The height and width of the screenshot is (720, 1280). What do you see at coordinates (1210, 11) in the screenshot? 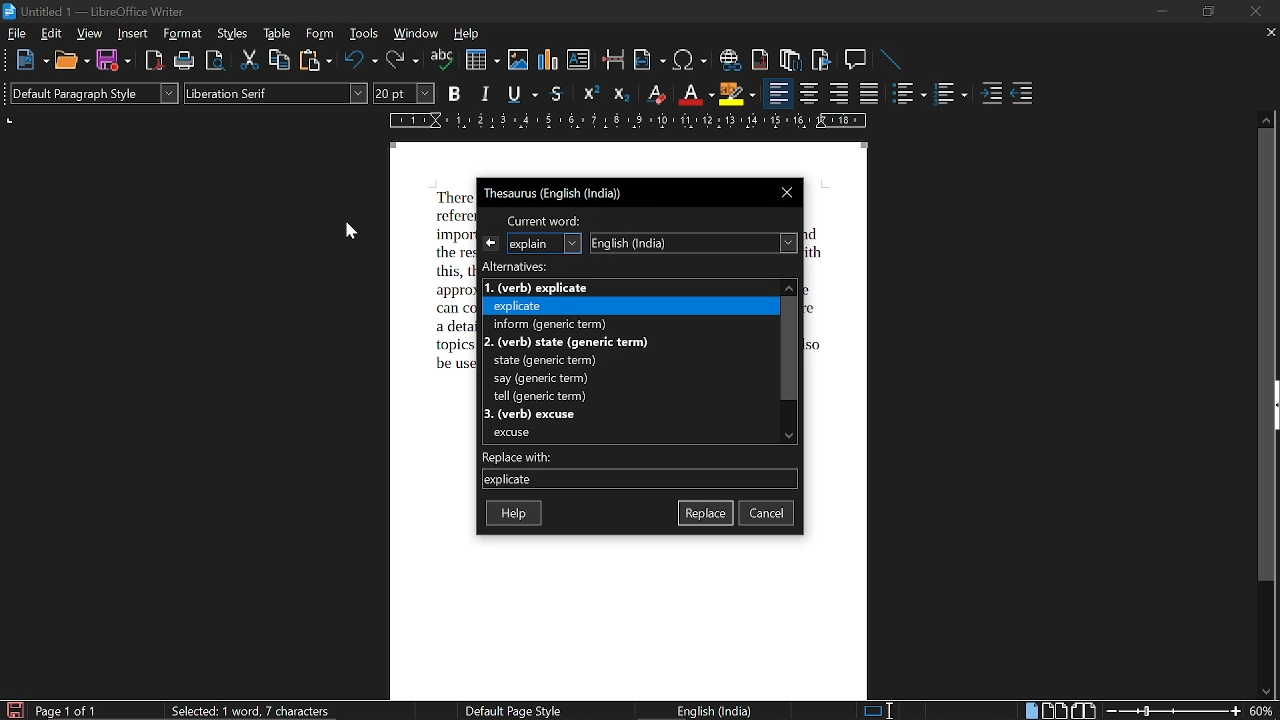
I see `restore down` at bounding box center [1210, 11].